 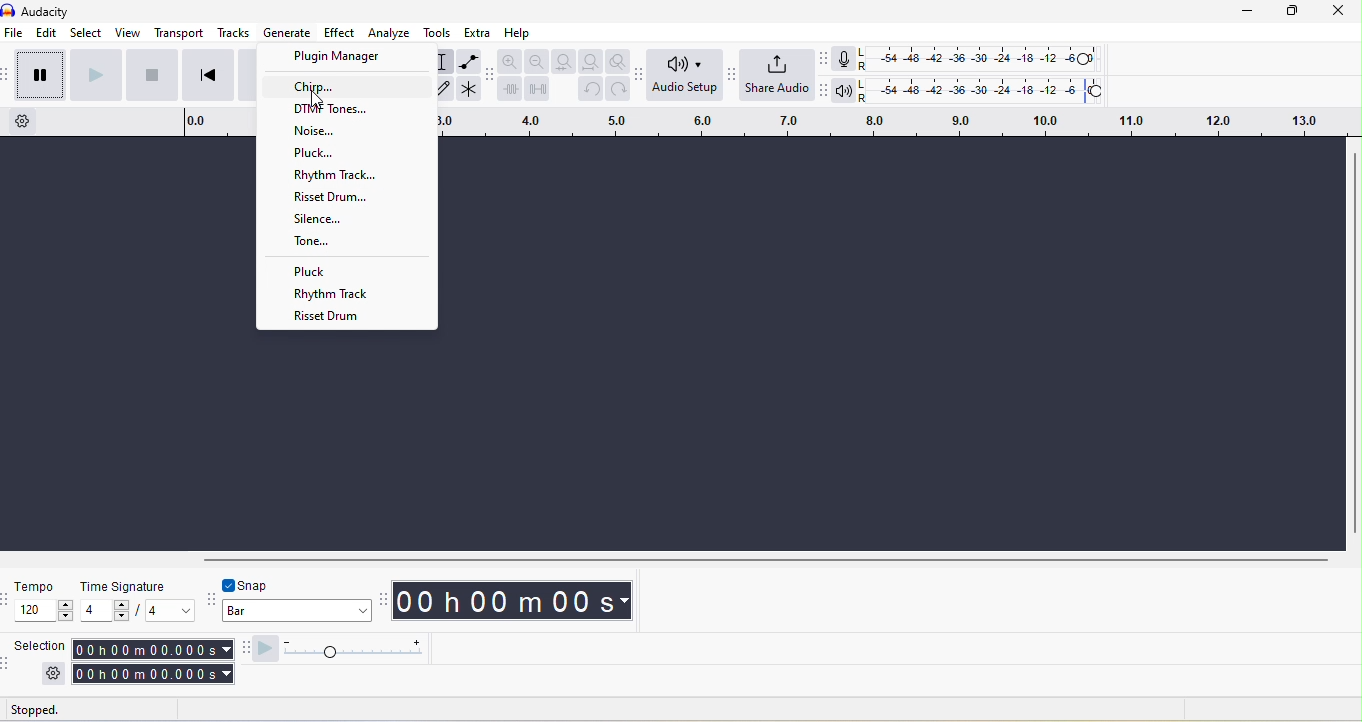 I want to click on audacity audio setup toolbar, so click(x=643, y=78).